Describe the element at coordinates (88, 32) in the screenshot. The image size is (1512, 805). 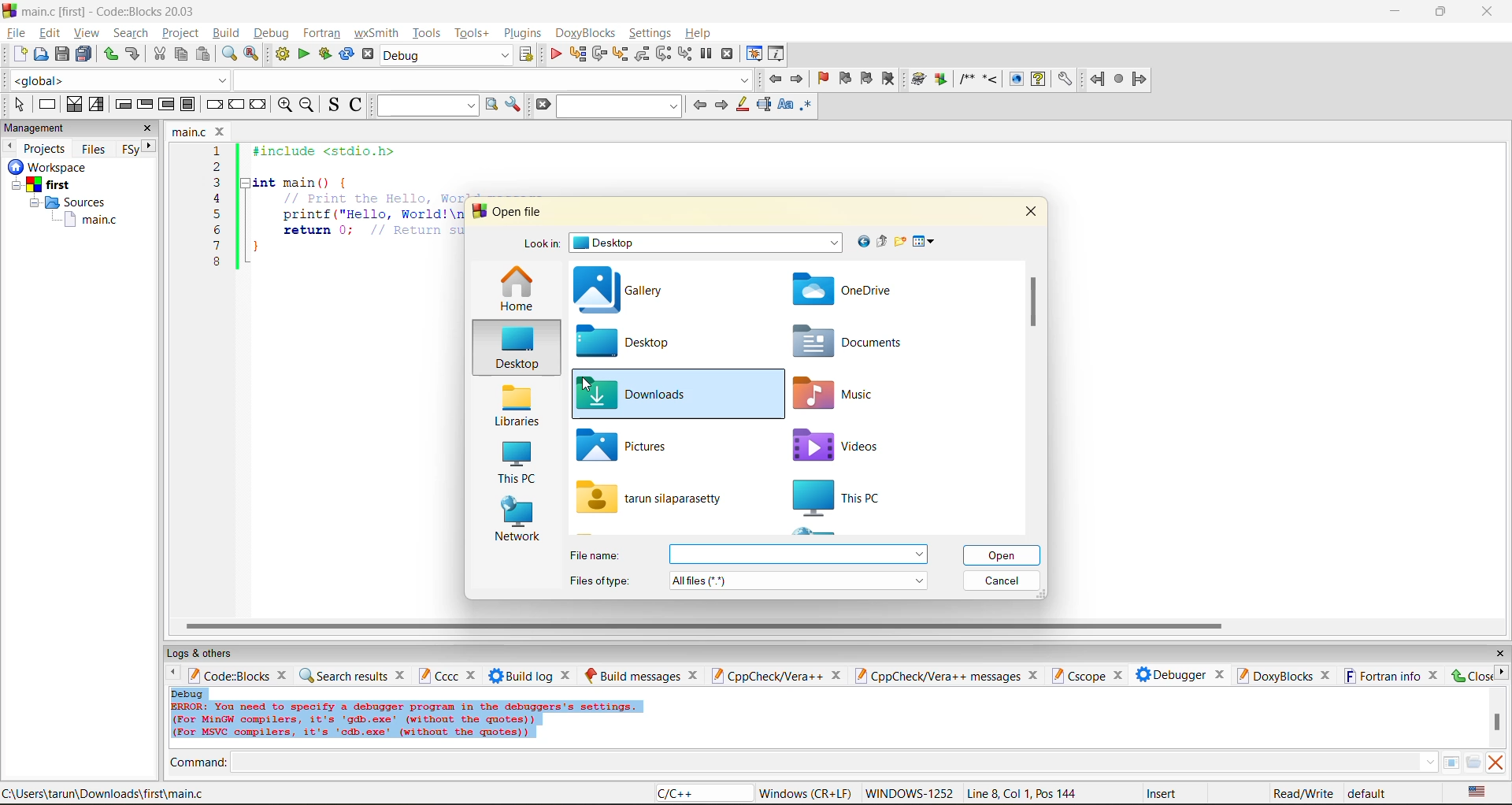
I see `view` at that location.